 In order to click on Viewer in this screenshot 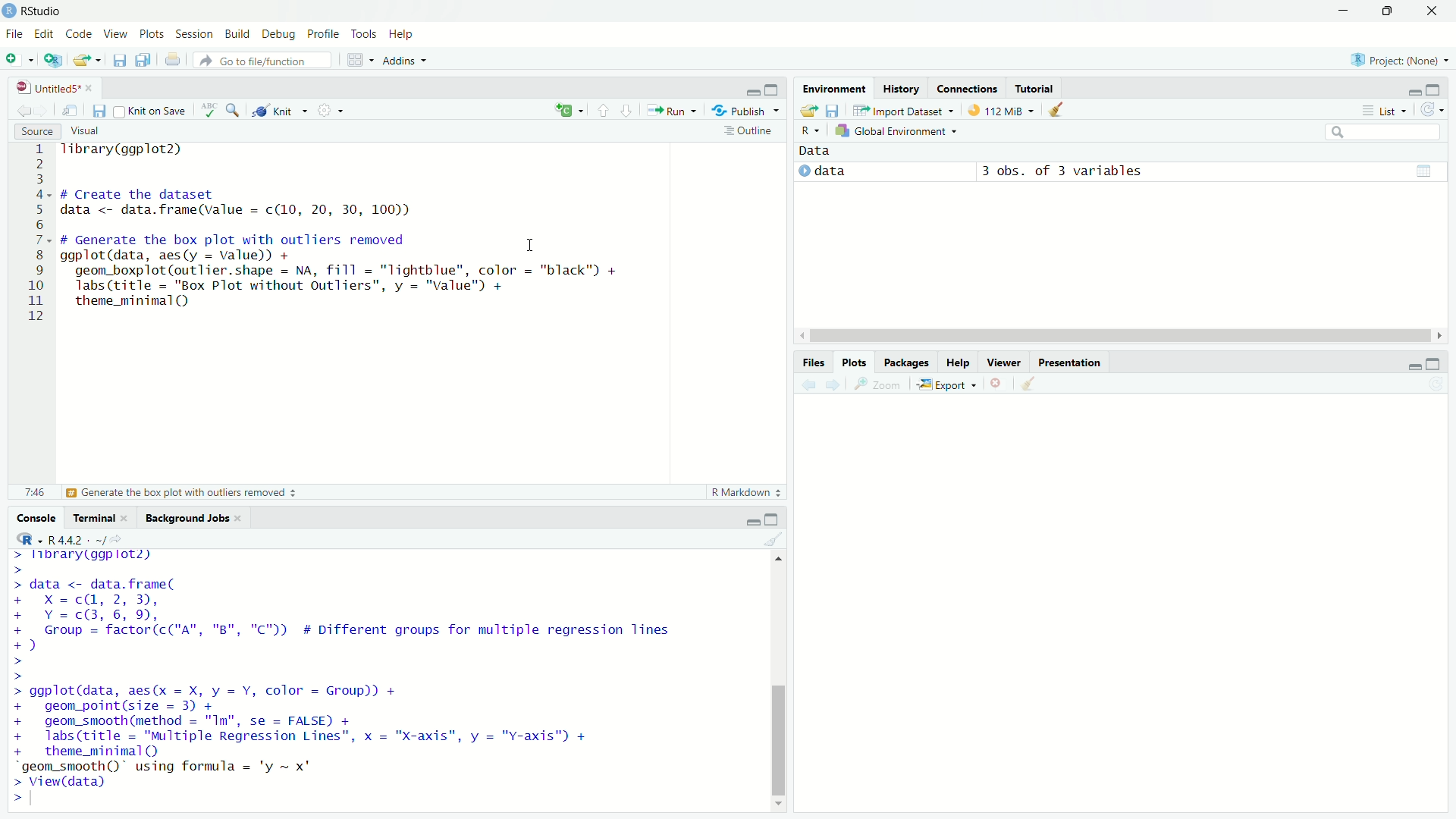, I will do `click(1003, 361)`.